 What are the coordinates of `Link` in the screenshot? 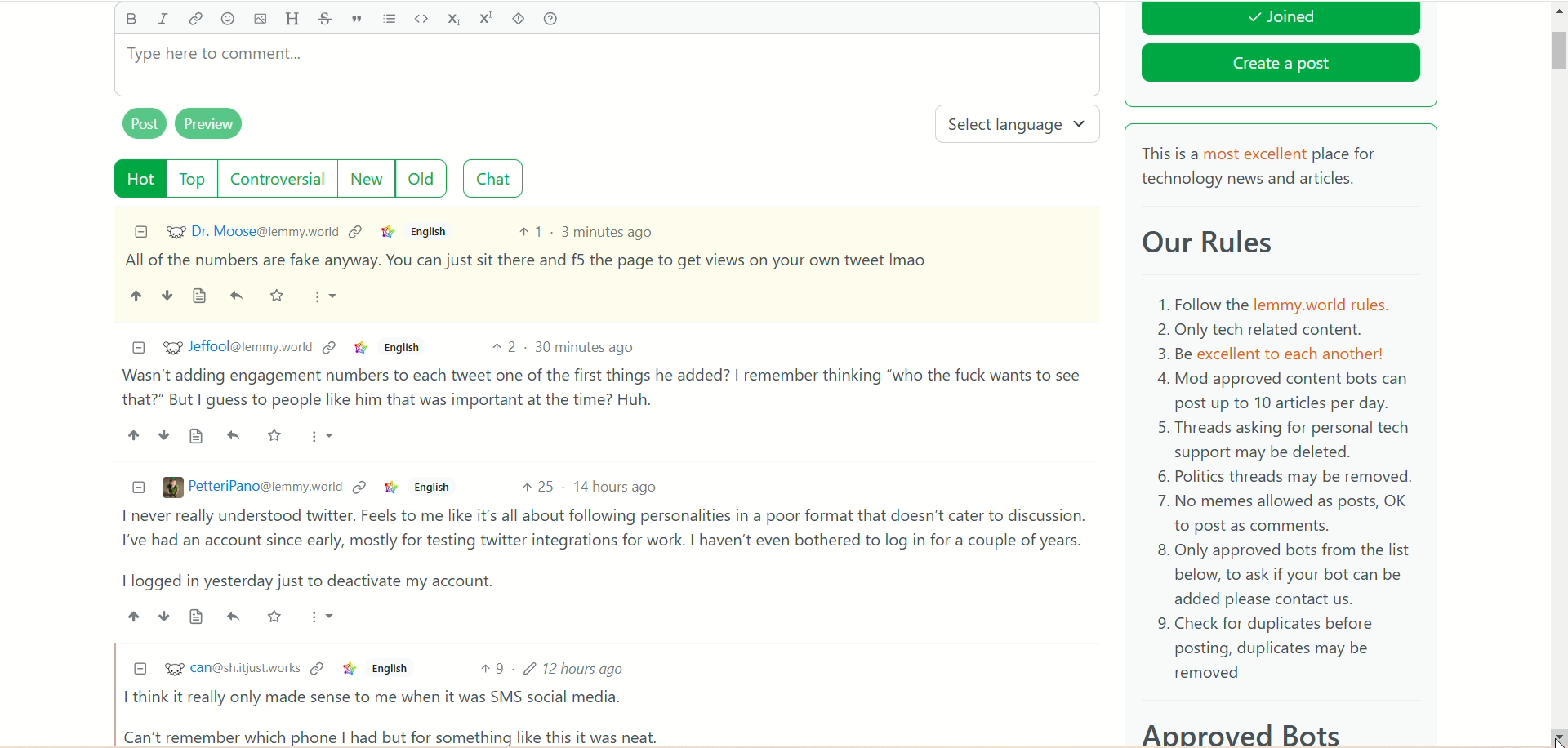 It's located at (391, 487).